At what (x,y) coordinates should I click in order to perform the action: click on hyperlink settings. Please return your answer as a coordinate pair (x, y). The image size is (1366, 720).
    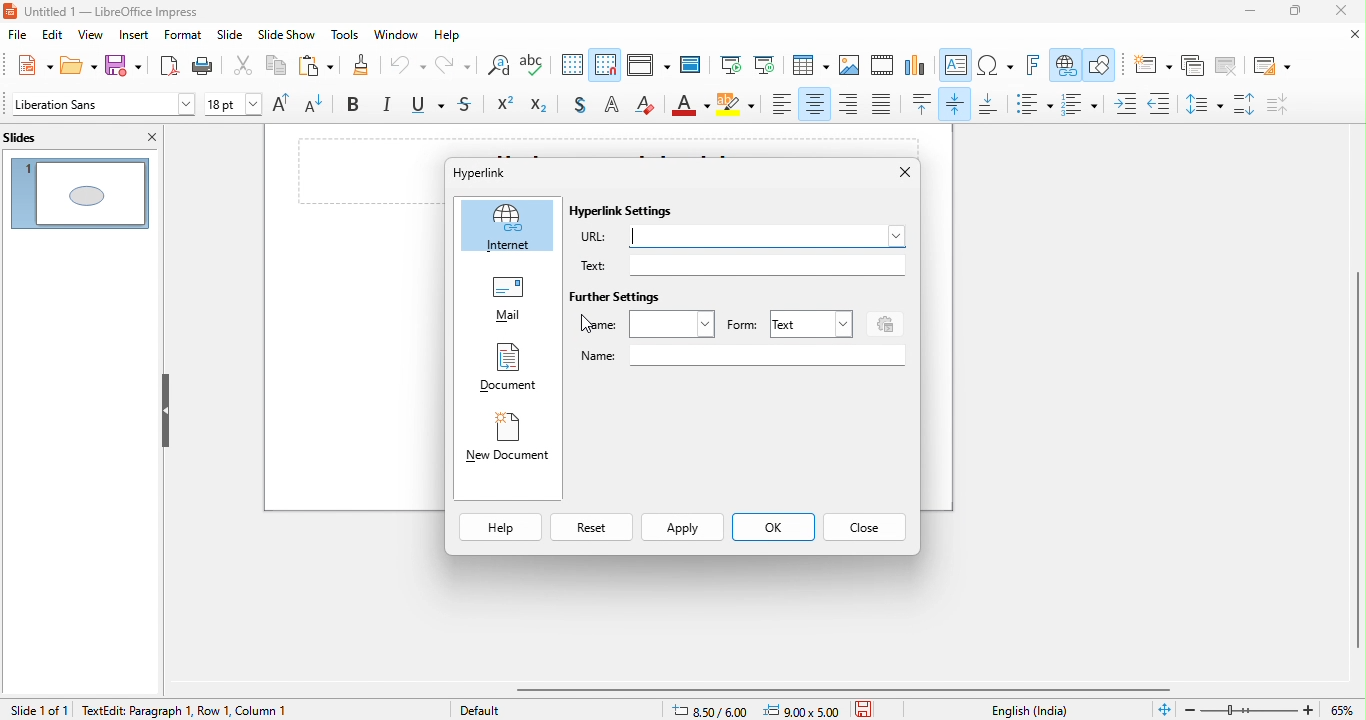
    Looking at the image, I should click on (626, 212).